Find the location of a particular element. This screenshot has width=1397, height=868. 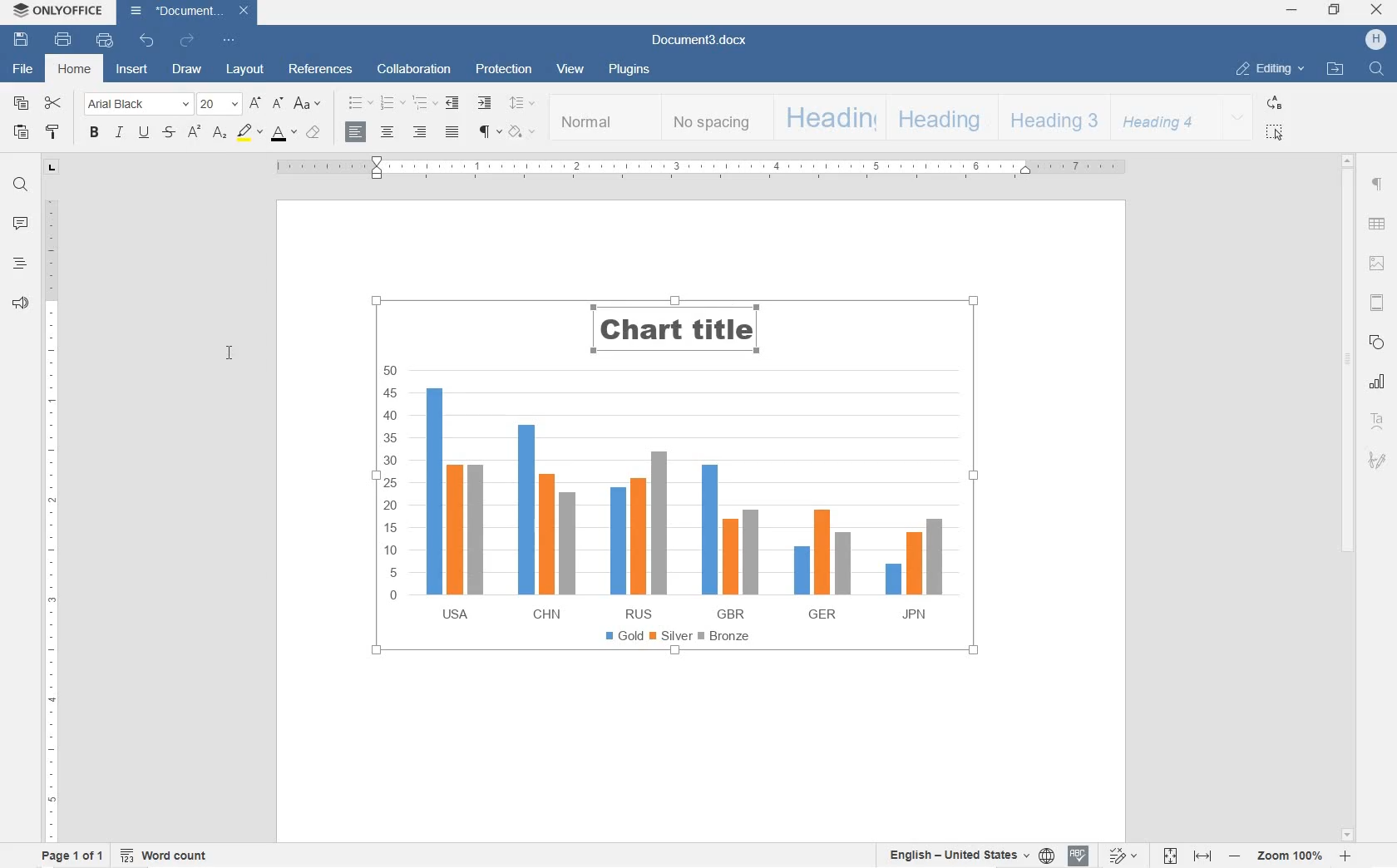

ALIGN LEFT is located at coordinates (355, 134).